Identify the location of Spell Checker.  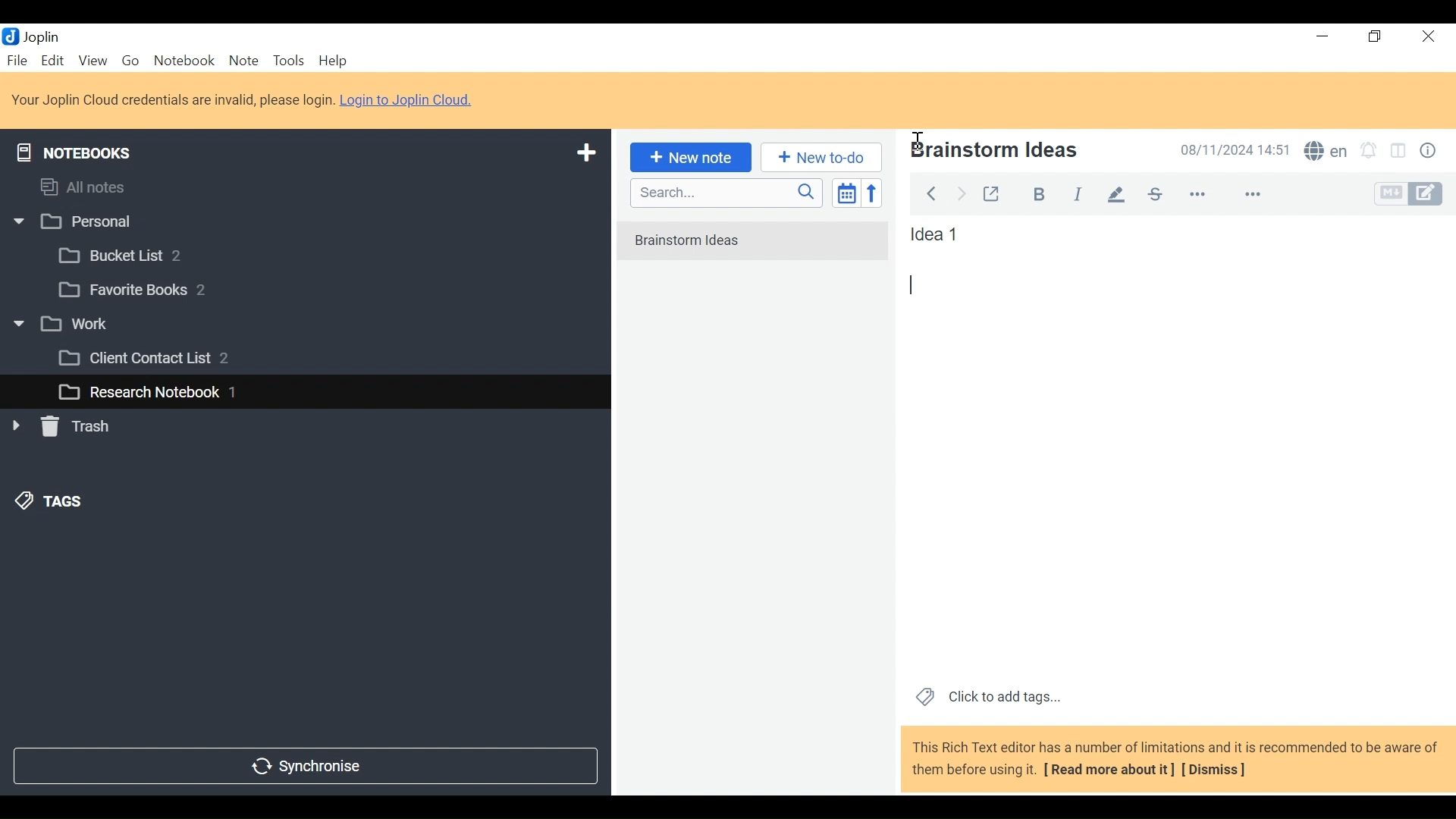
(1326, 152).